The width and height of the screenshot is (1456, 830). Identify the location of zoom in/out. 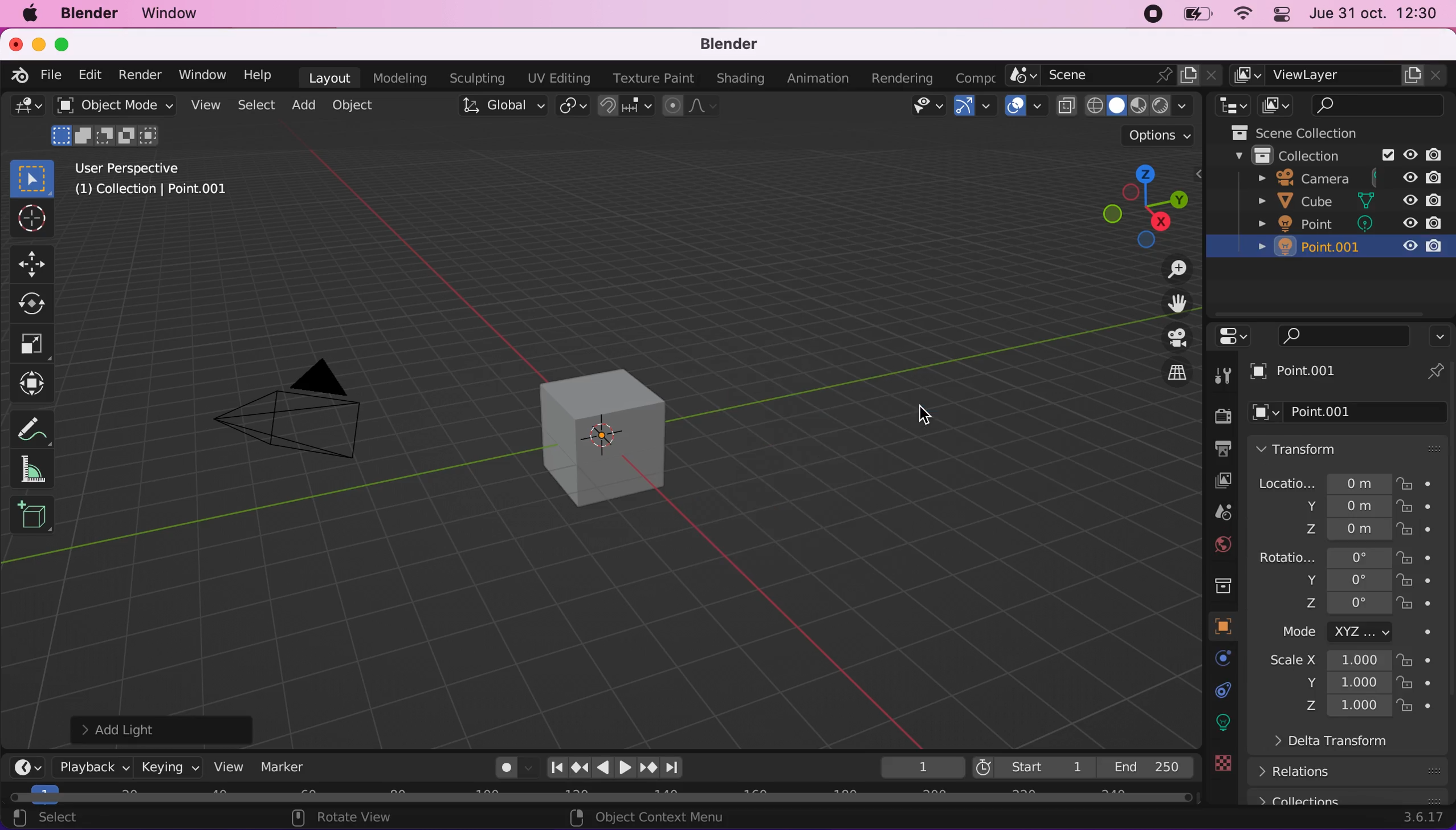
(1168, 270).